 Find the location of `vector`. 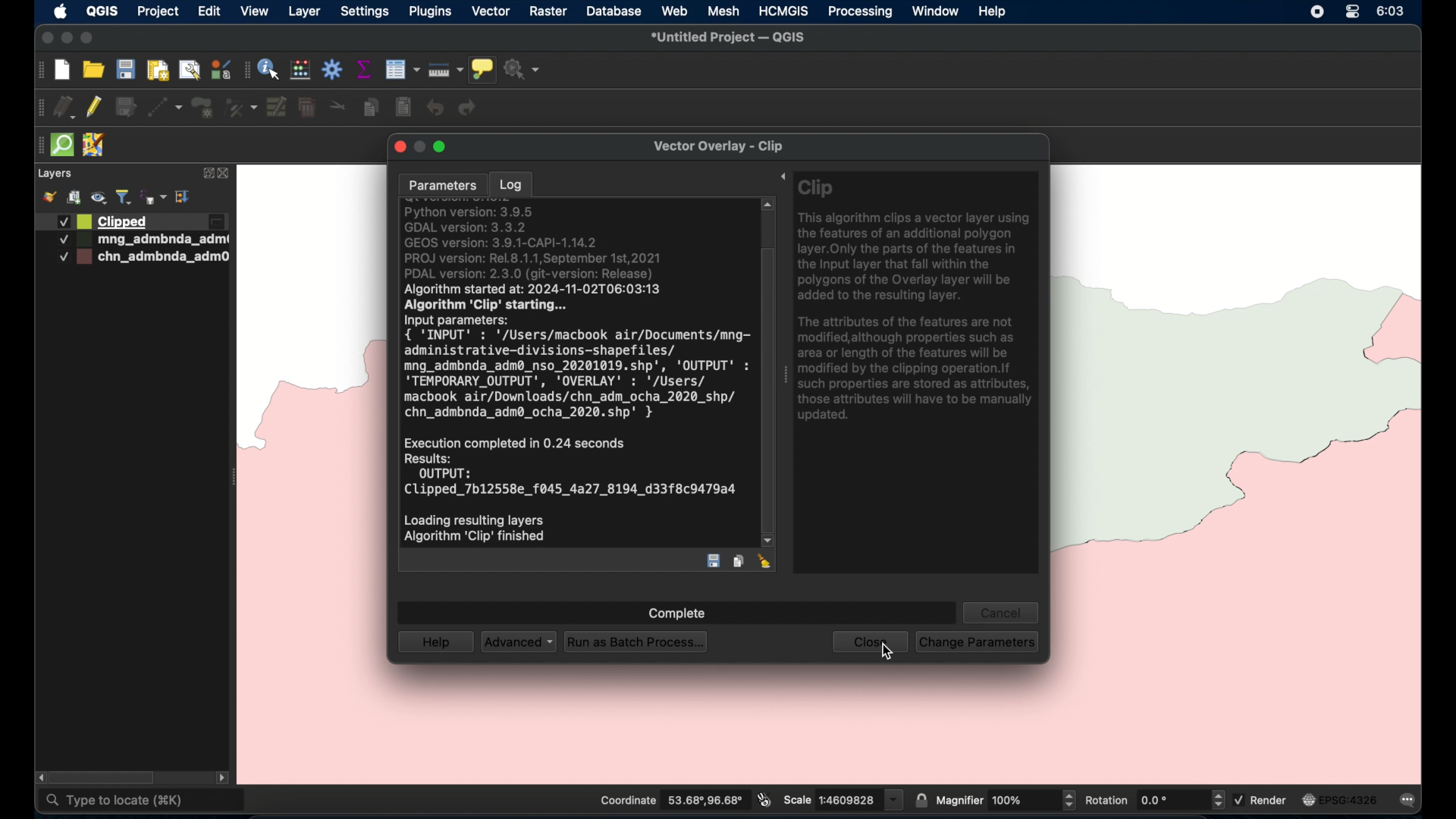

vector is located at coordinates (491, 12).